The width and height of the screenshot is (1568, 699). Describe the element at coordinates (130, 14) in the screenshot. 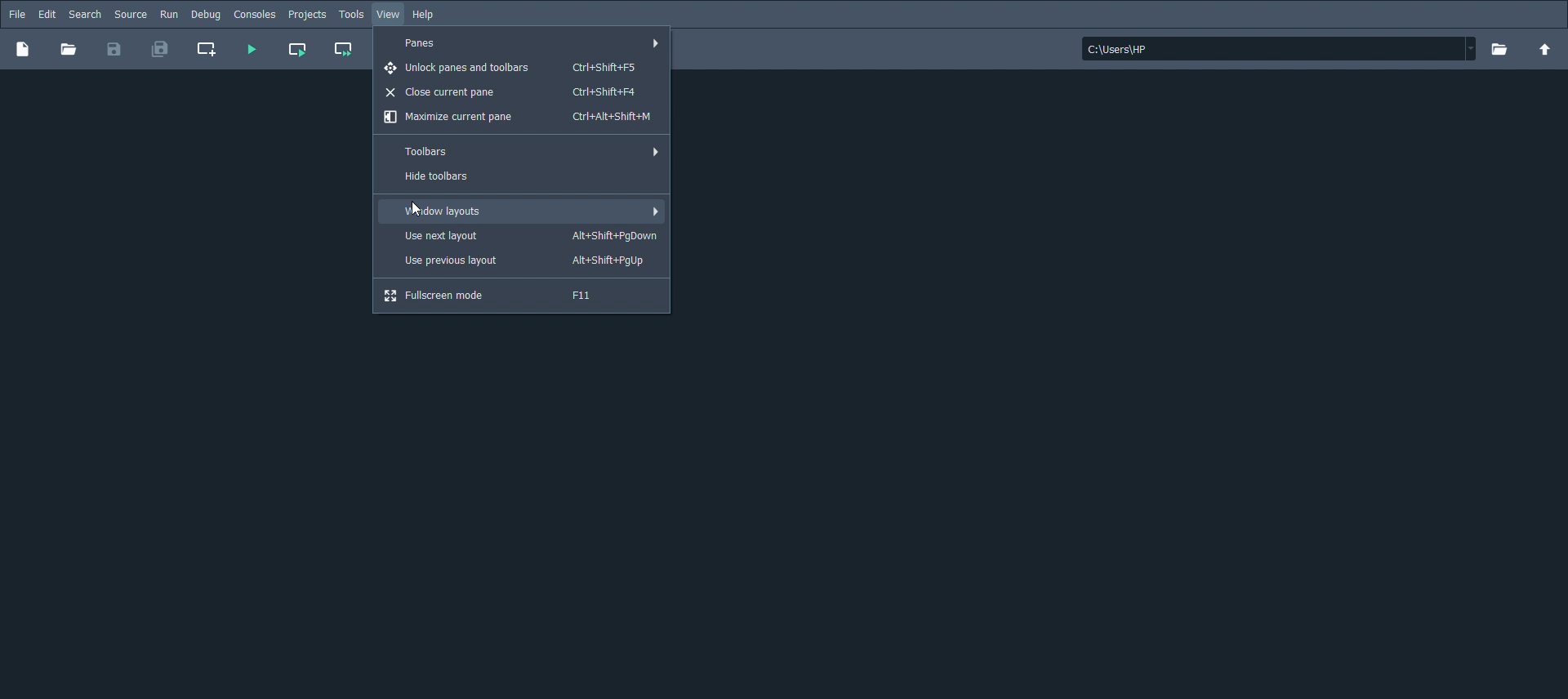

I see `Source` at that location.